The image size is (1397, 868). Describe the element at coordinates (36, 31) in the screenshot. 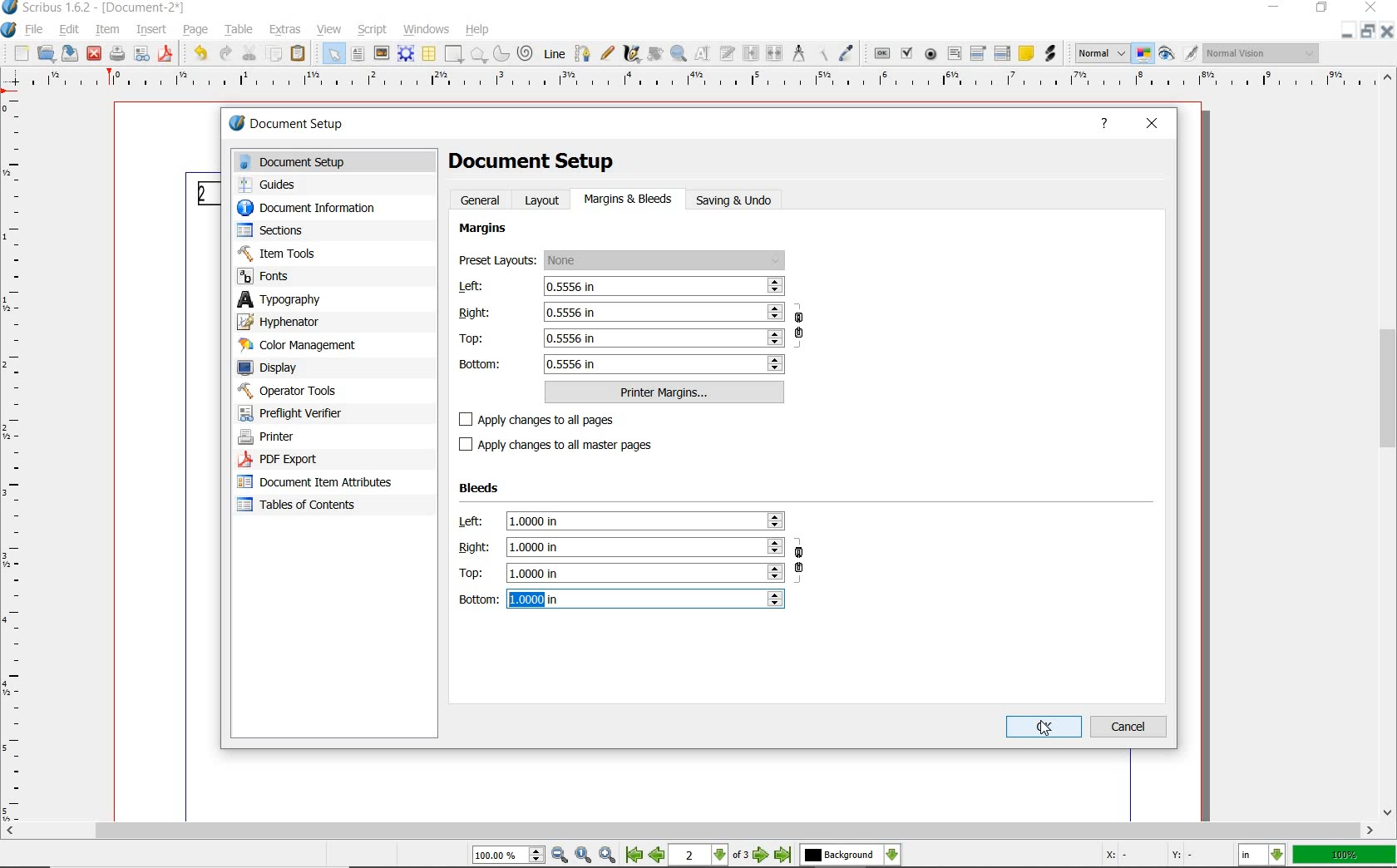

I see `file` at that location.